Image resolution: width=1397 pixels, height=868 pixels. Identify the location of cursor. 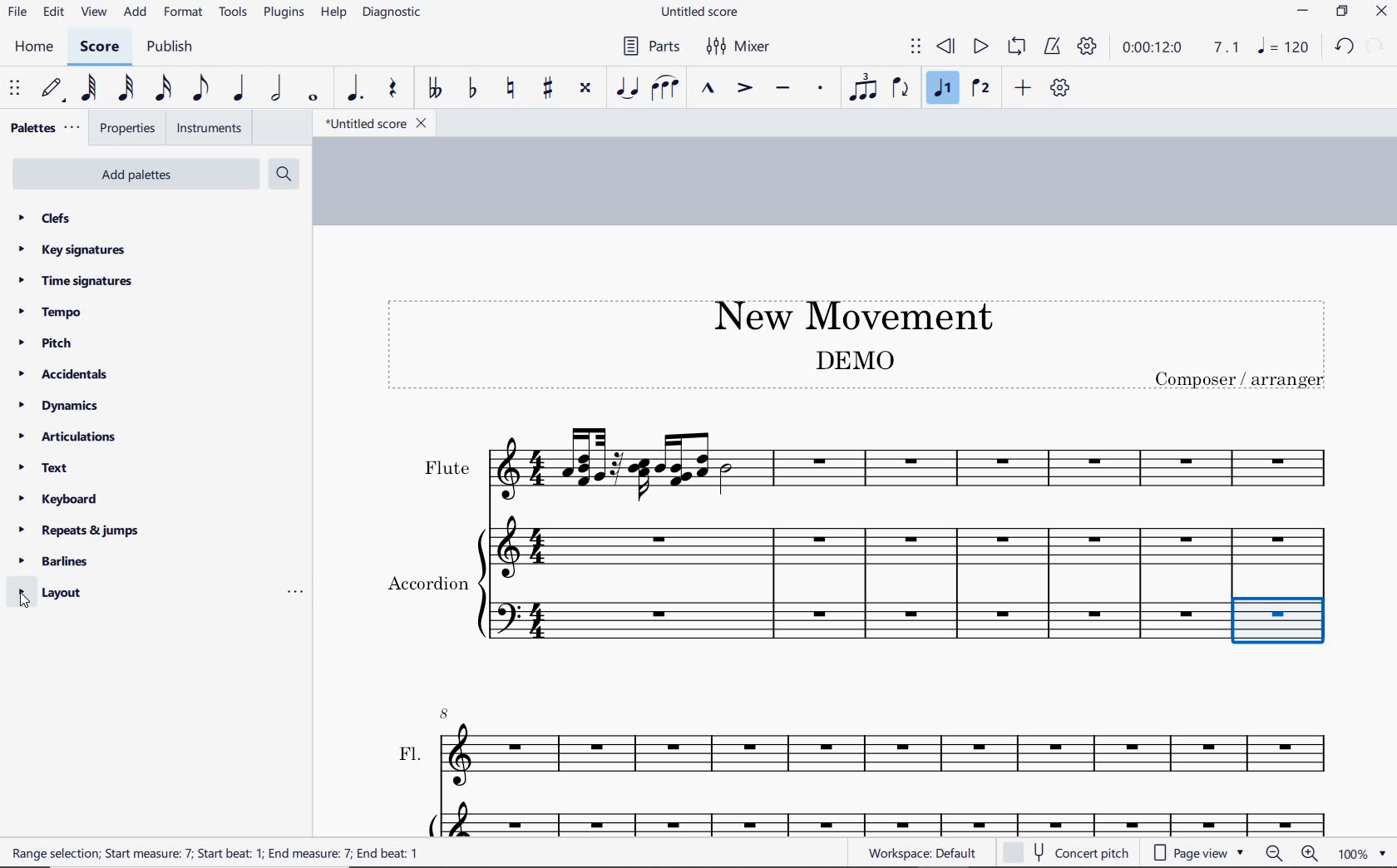
(27, 601).